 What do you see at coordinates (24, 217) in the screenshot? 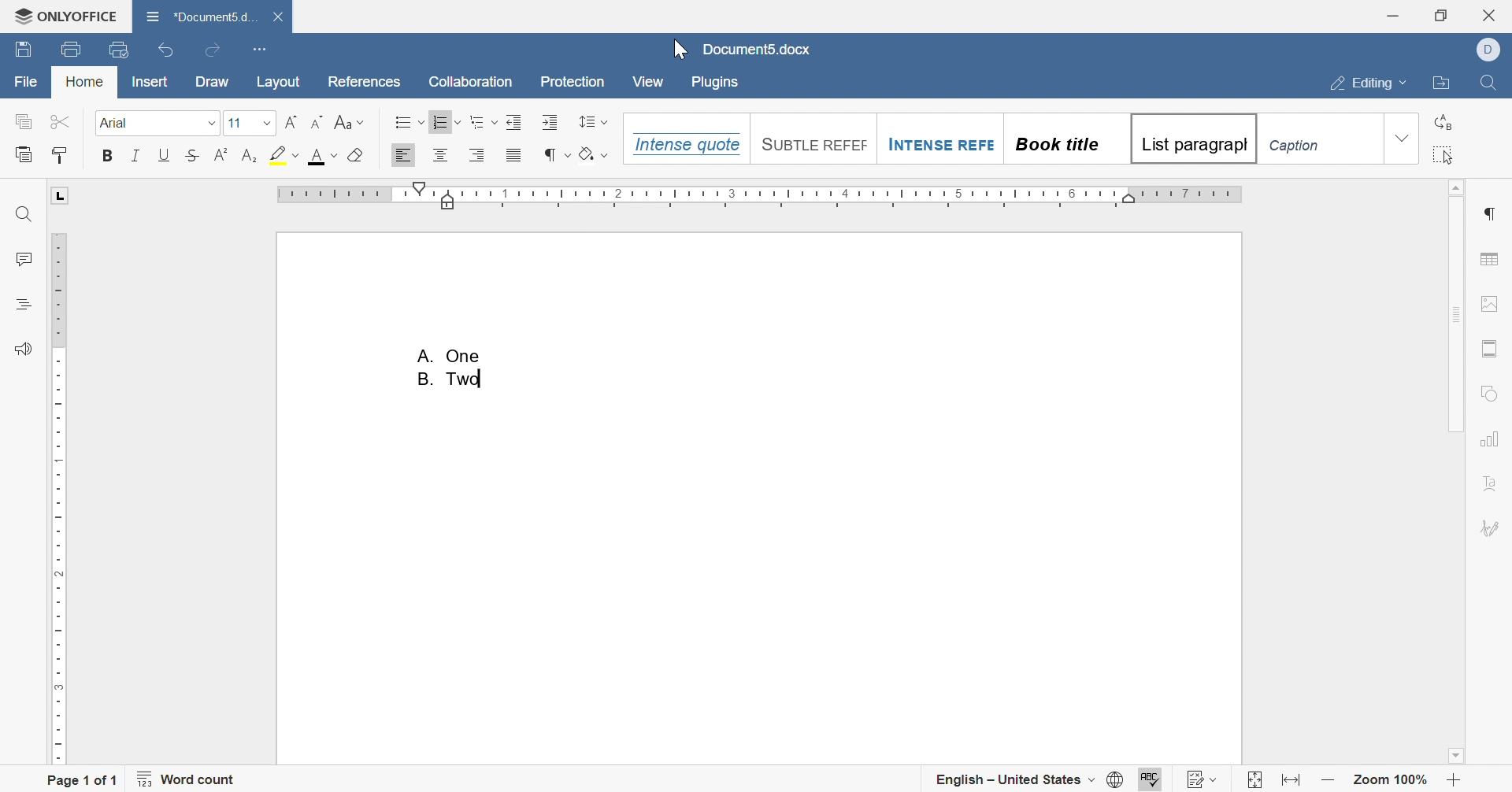
I see `find` at bounding box center [24, 217].